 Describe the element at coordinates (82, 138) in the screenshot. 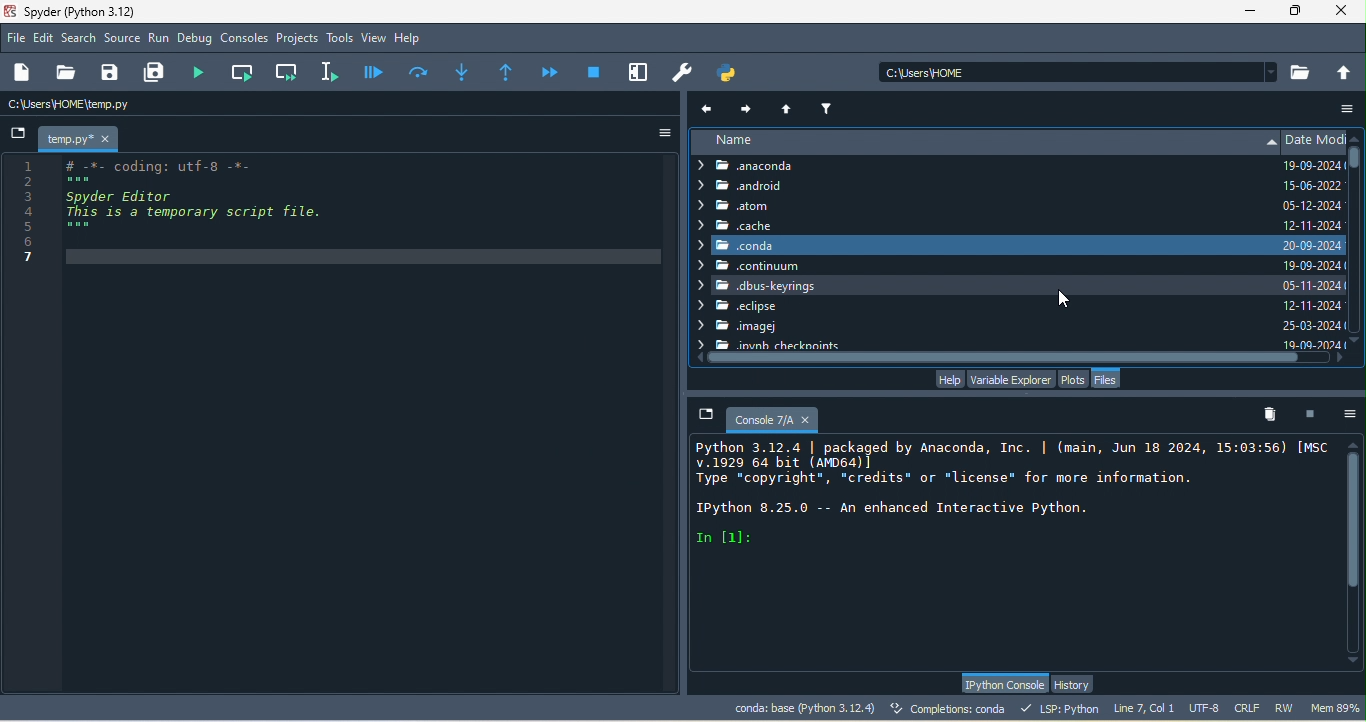

I see `temp.py` at that location.